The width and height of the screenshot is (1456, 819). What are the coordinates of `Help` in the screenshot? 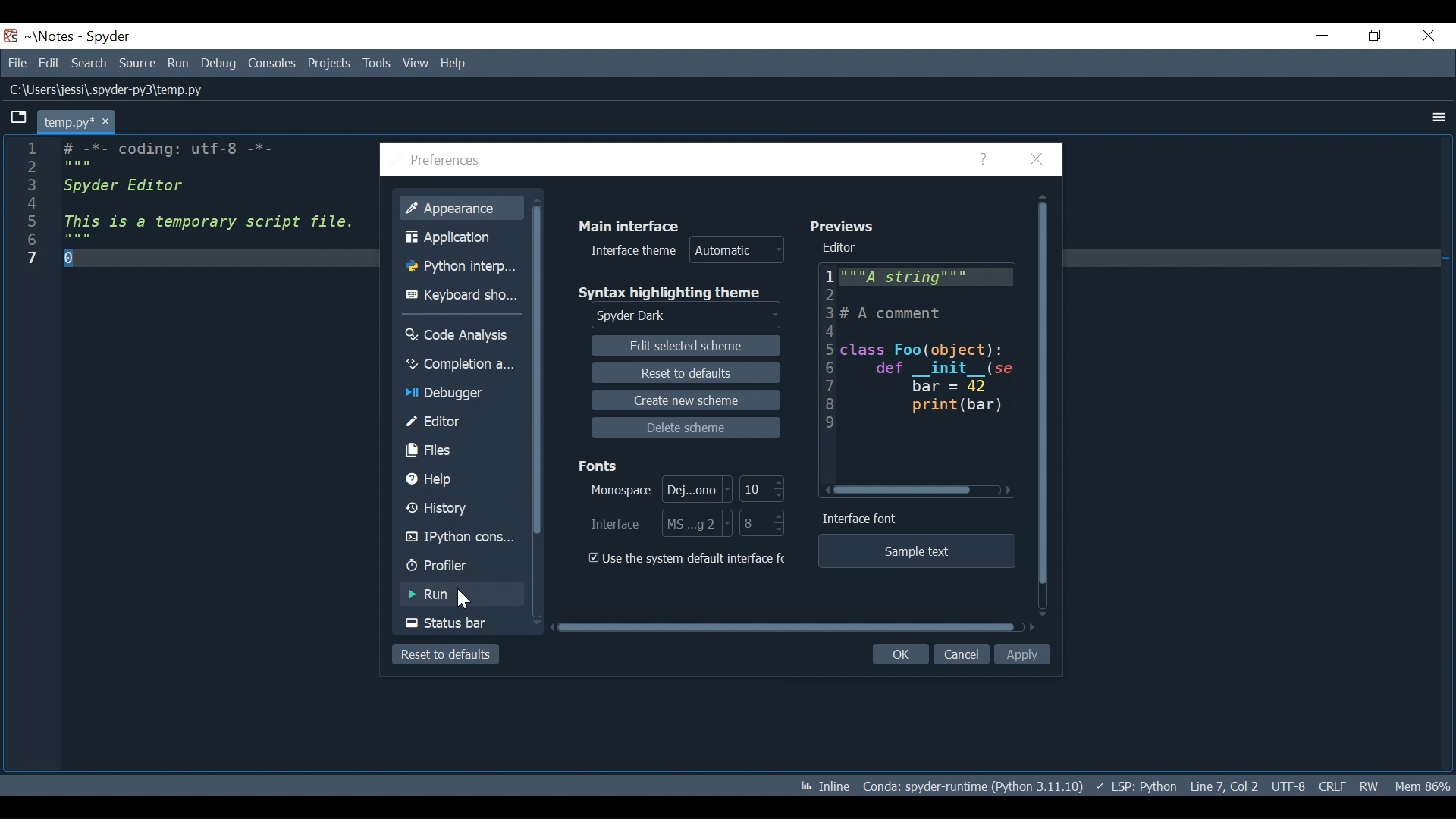 It's located at (455, 479).